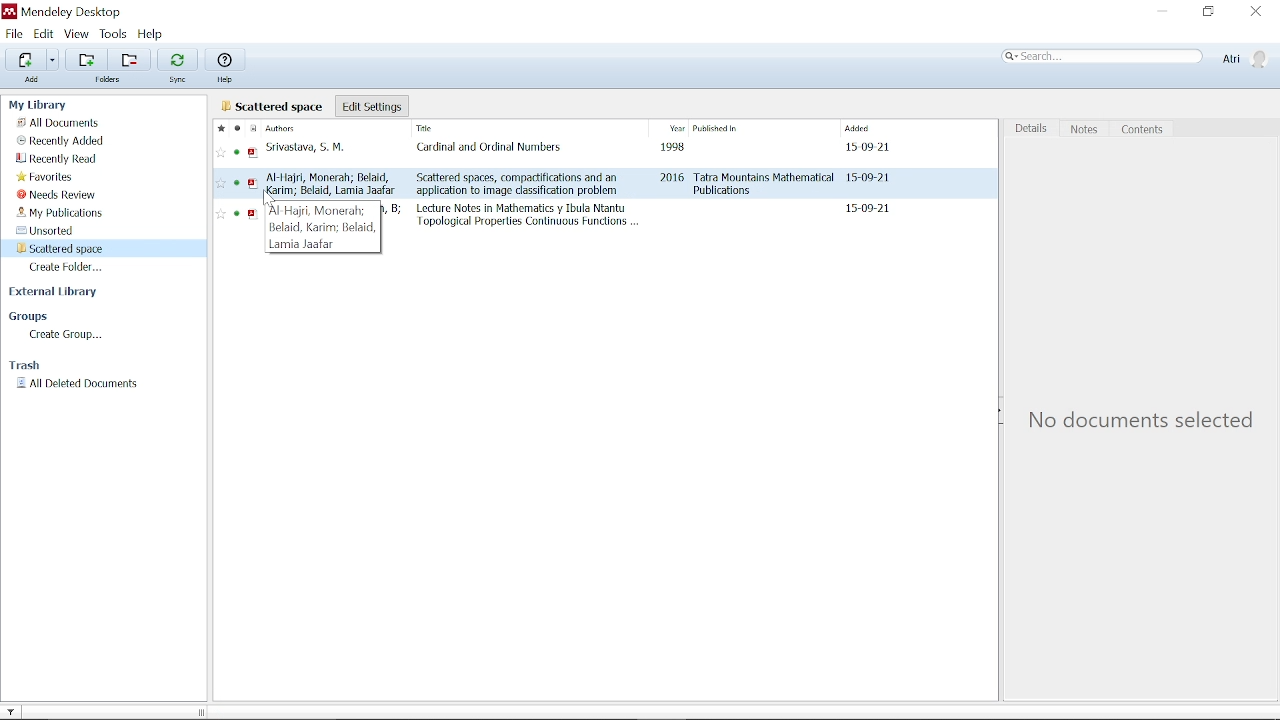 This screenshot has width=1280, height=720. I want to click on tooltip, so click(321, 227).